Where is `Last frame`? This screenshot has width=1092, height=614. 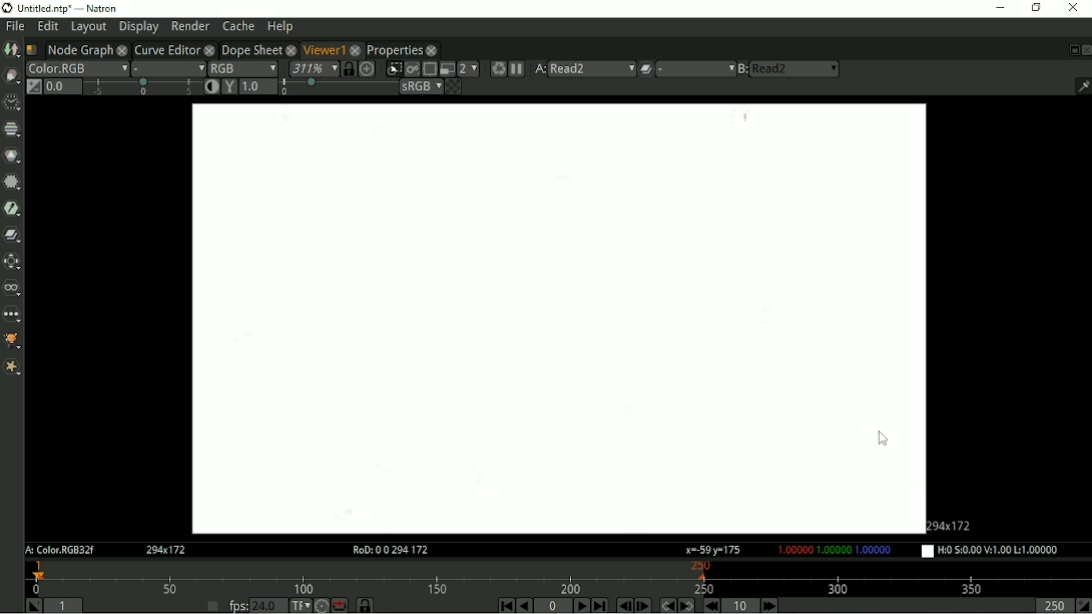 Last frame is located at coordinates (600, 605).